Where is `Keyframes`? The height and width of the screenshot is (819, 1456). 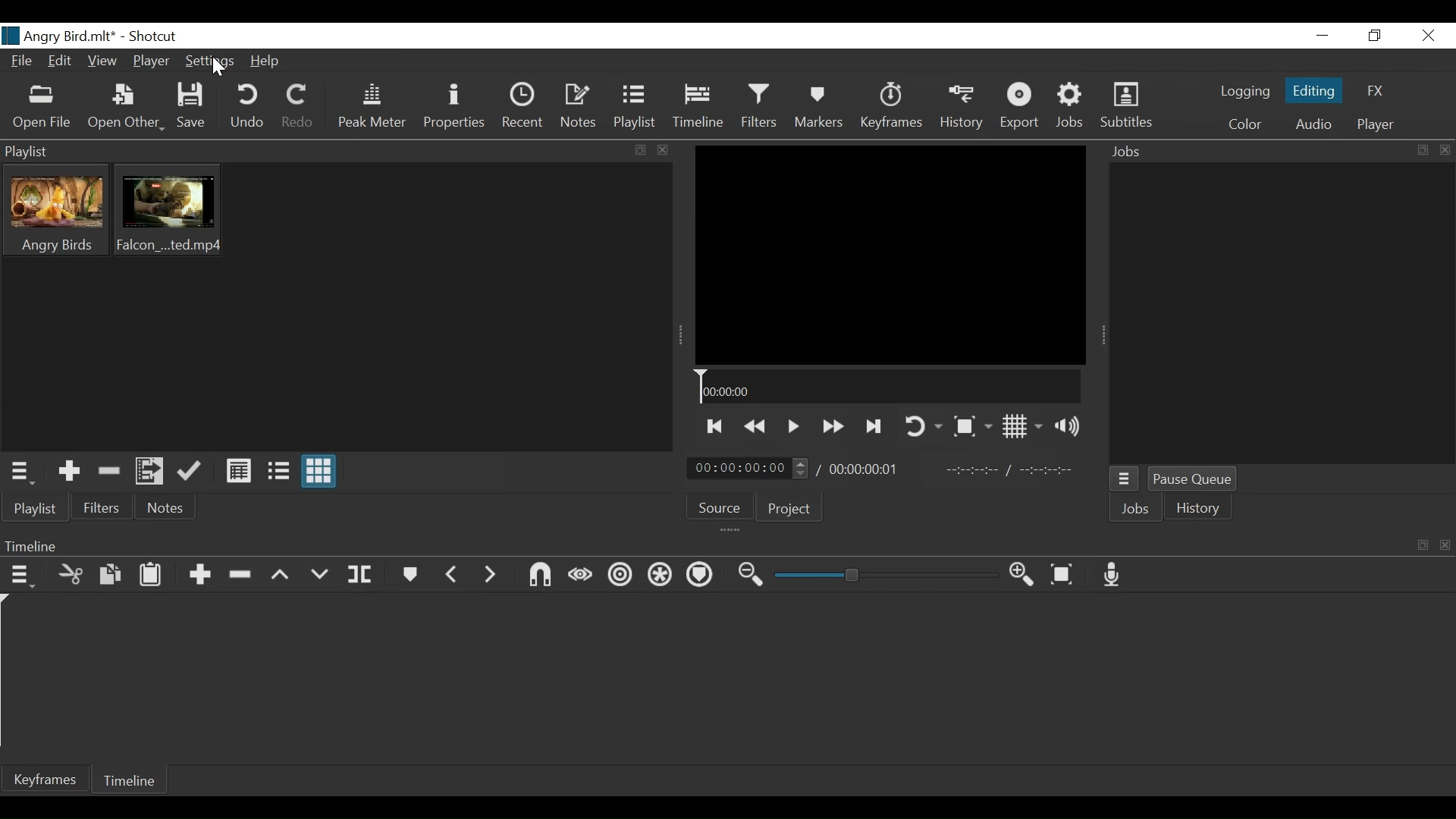
Keyframes is located at coordinates (890, 108).